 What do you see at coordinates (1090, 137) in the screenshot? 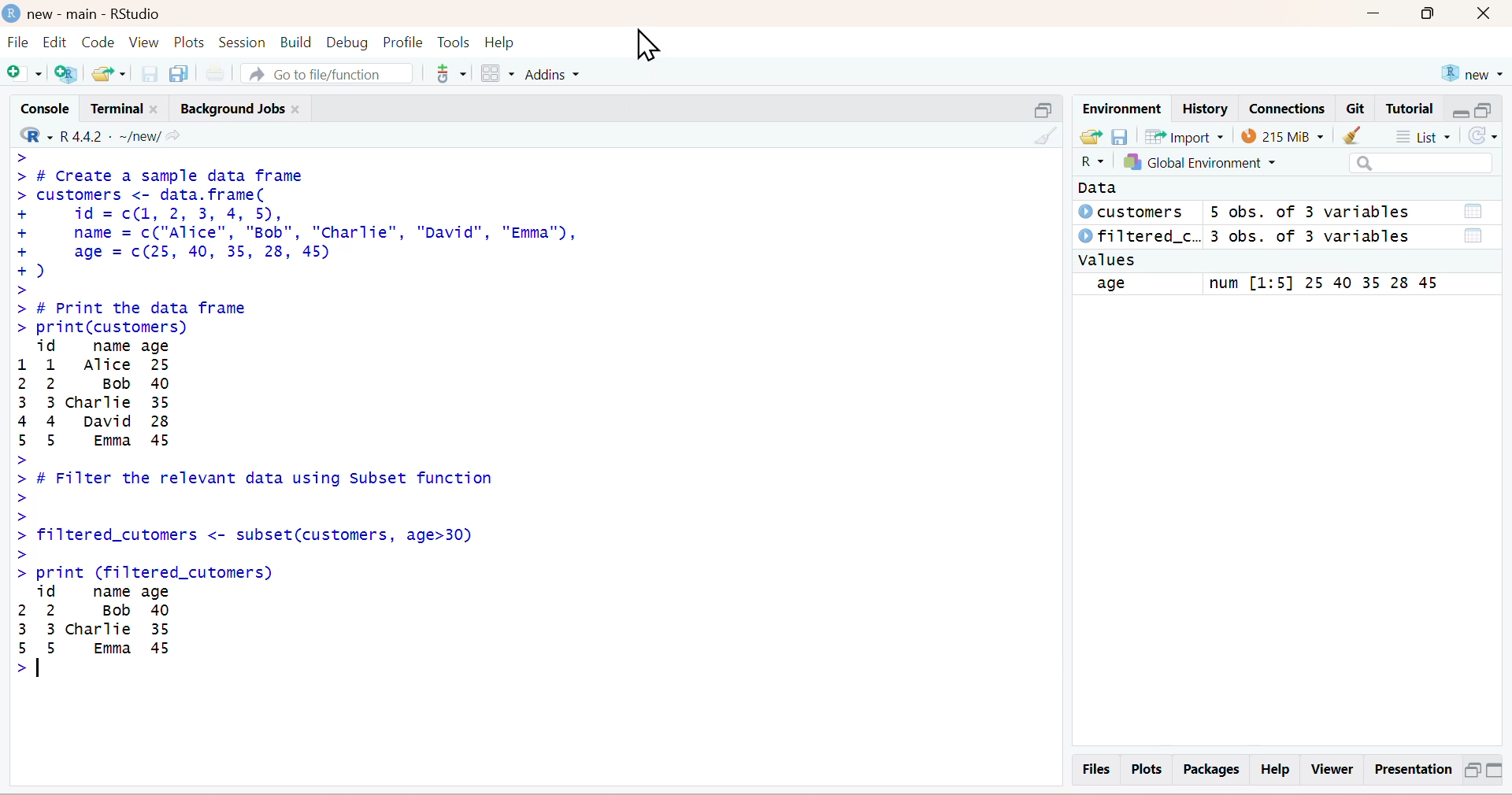
I see `Load workspace` at bounding box center [1090, 137].